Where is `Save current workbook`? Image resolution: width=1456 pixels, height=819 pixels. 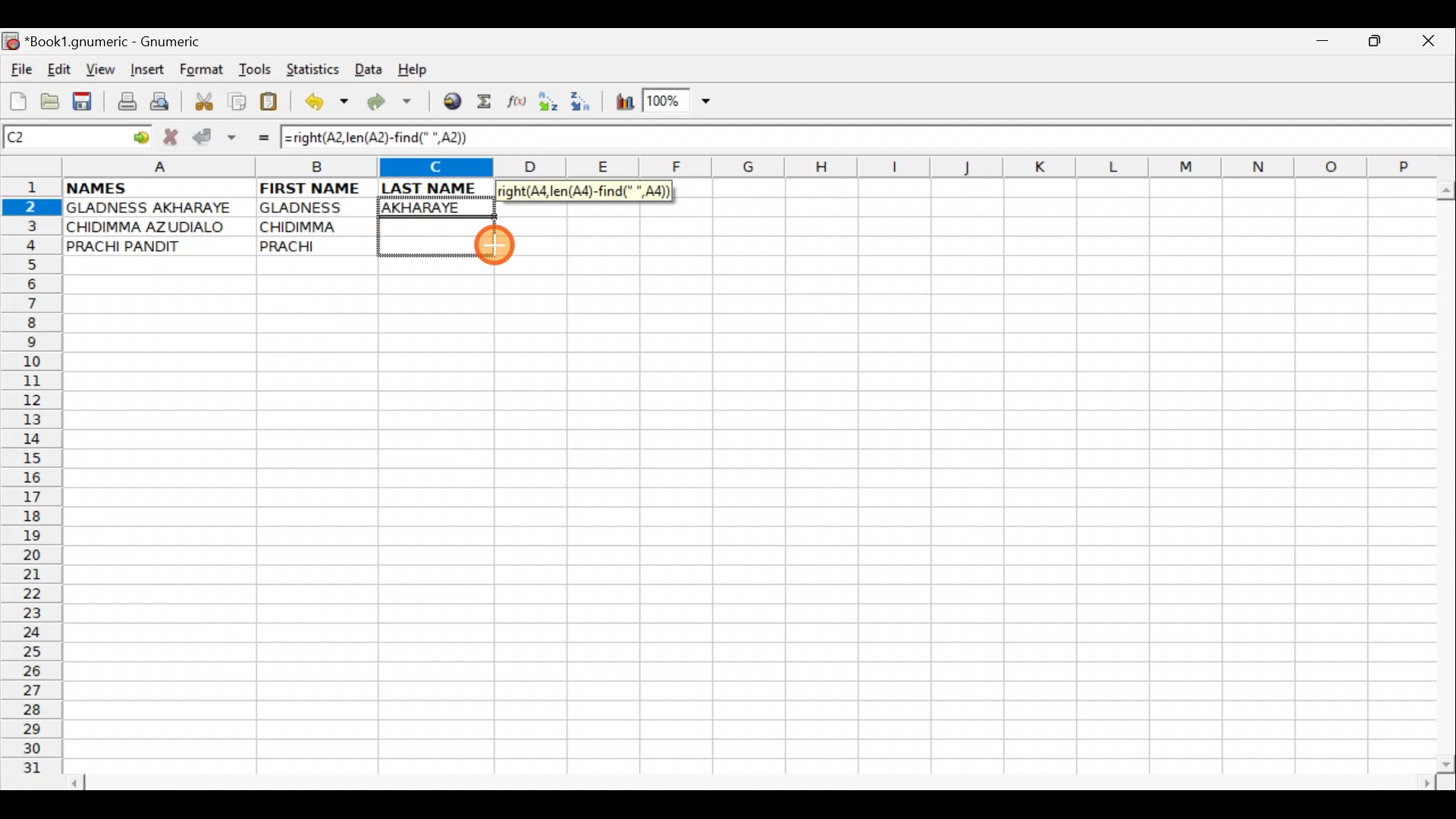
Save current workbook is located at coordinates (86, 102).